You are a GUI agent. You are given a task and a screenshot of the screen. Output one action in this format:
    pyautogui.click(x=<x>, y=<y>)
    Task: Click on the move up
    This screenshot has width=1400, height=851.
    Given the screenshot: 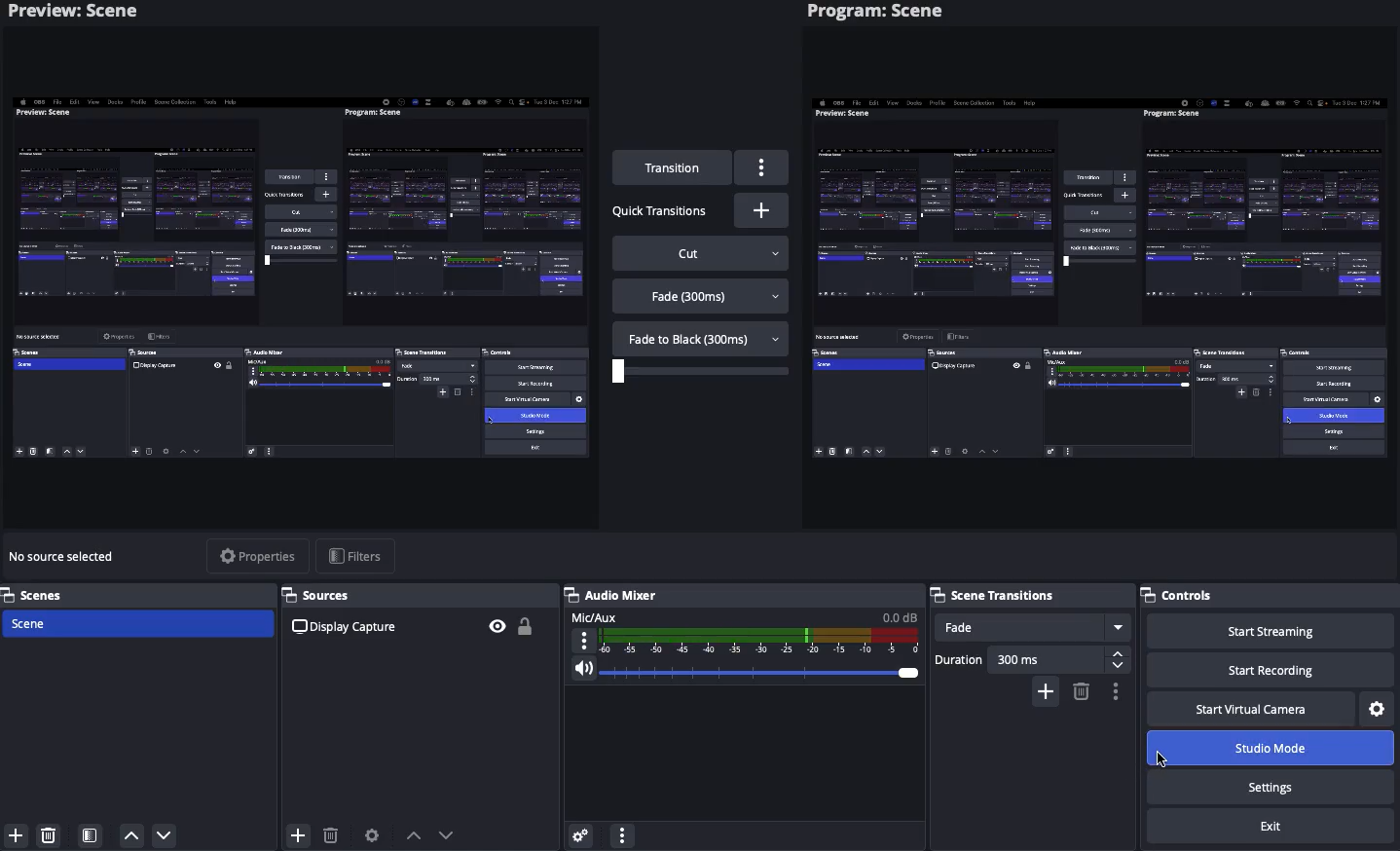 What is the action you would take?
    pyautogui.click(x=132, y=836)
    